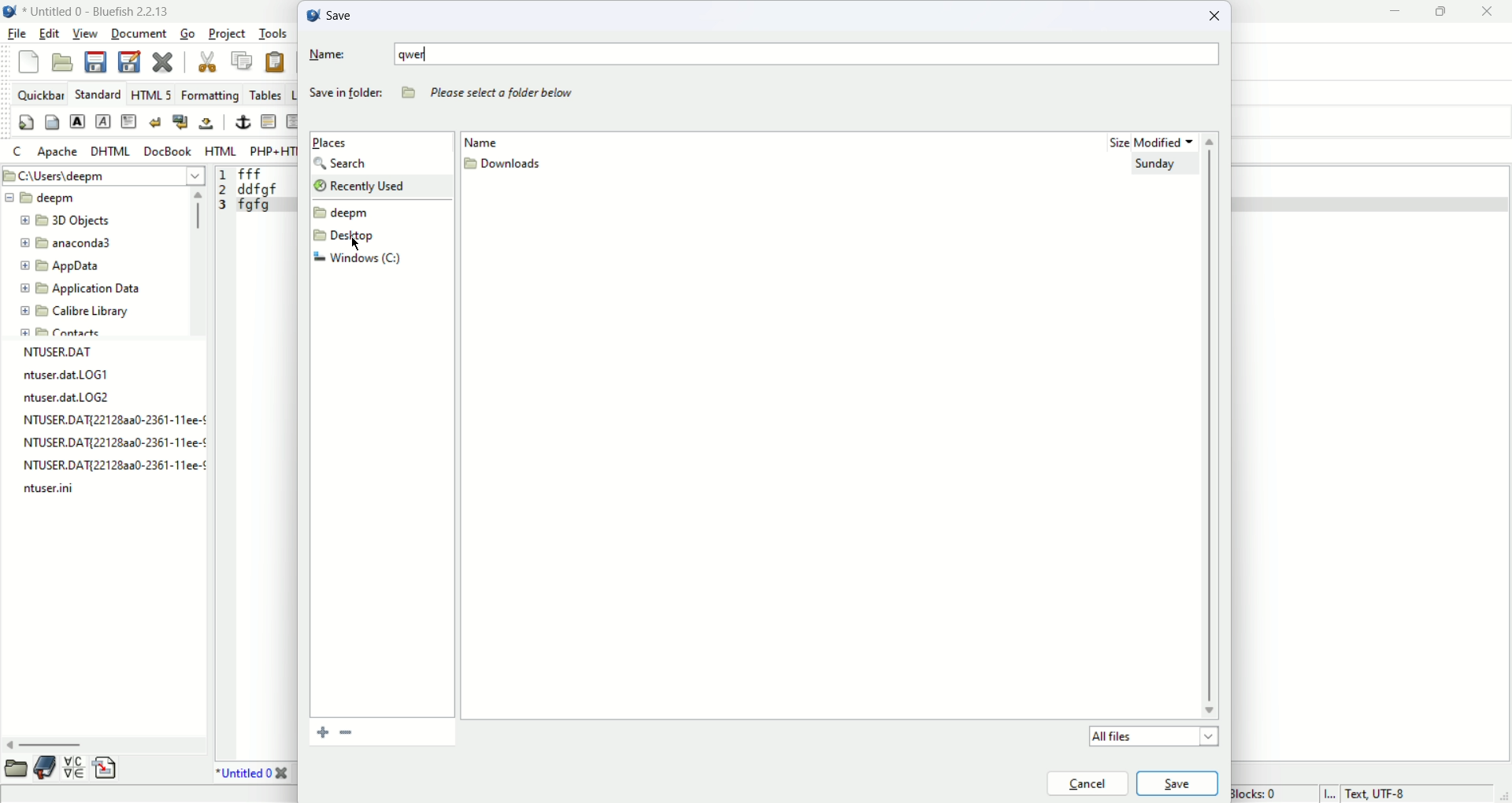 This screenshot has width=1512, height=803. Describe the element at coordinates (1178, 783) in the screenshot. I see `save` at that location.